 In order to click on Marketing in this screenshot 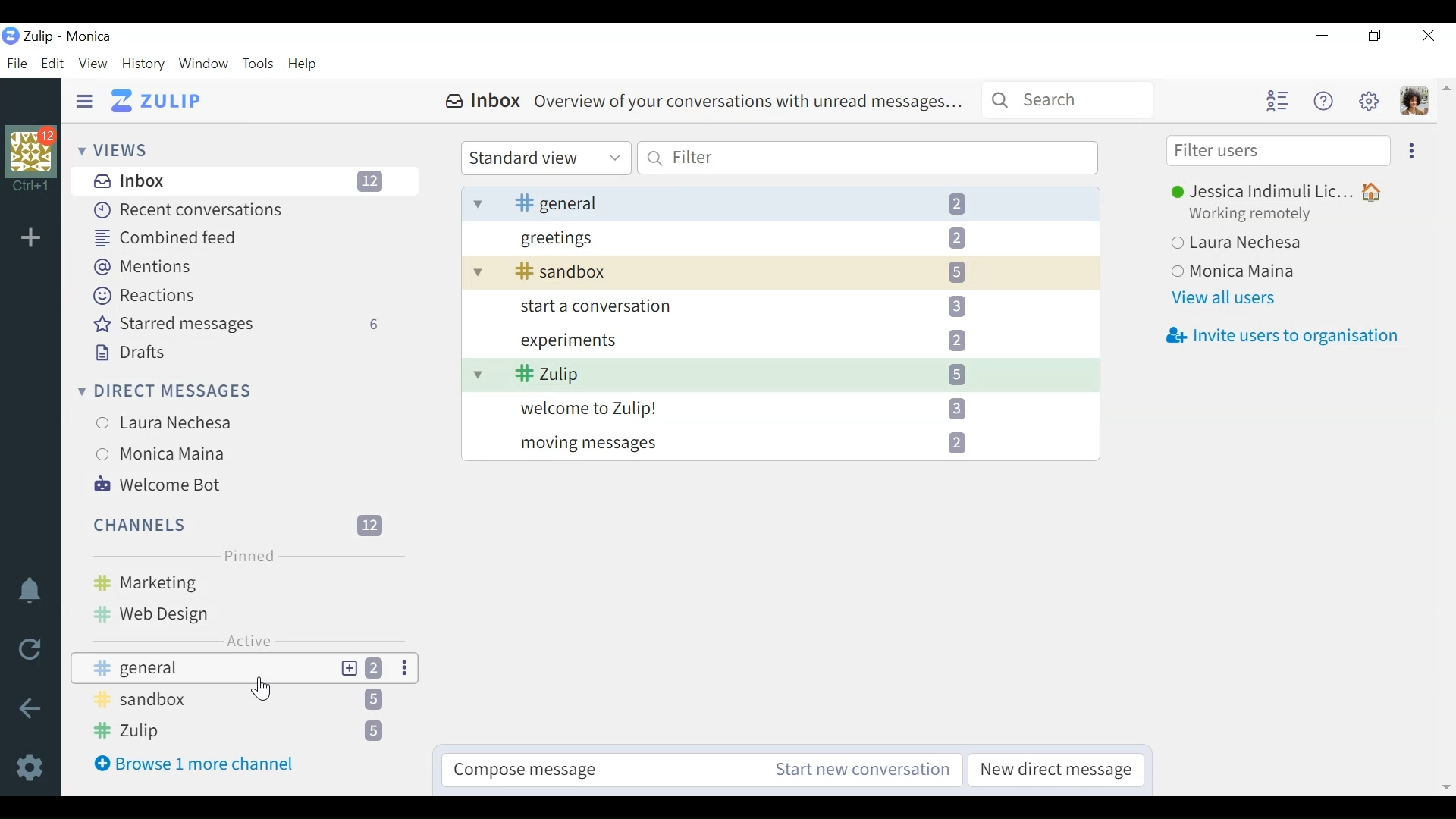, I will do `click(238, 582)`.